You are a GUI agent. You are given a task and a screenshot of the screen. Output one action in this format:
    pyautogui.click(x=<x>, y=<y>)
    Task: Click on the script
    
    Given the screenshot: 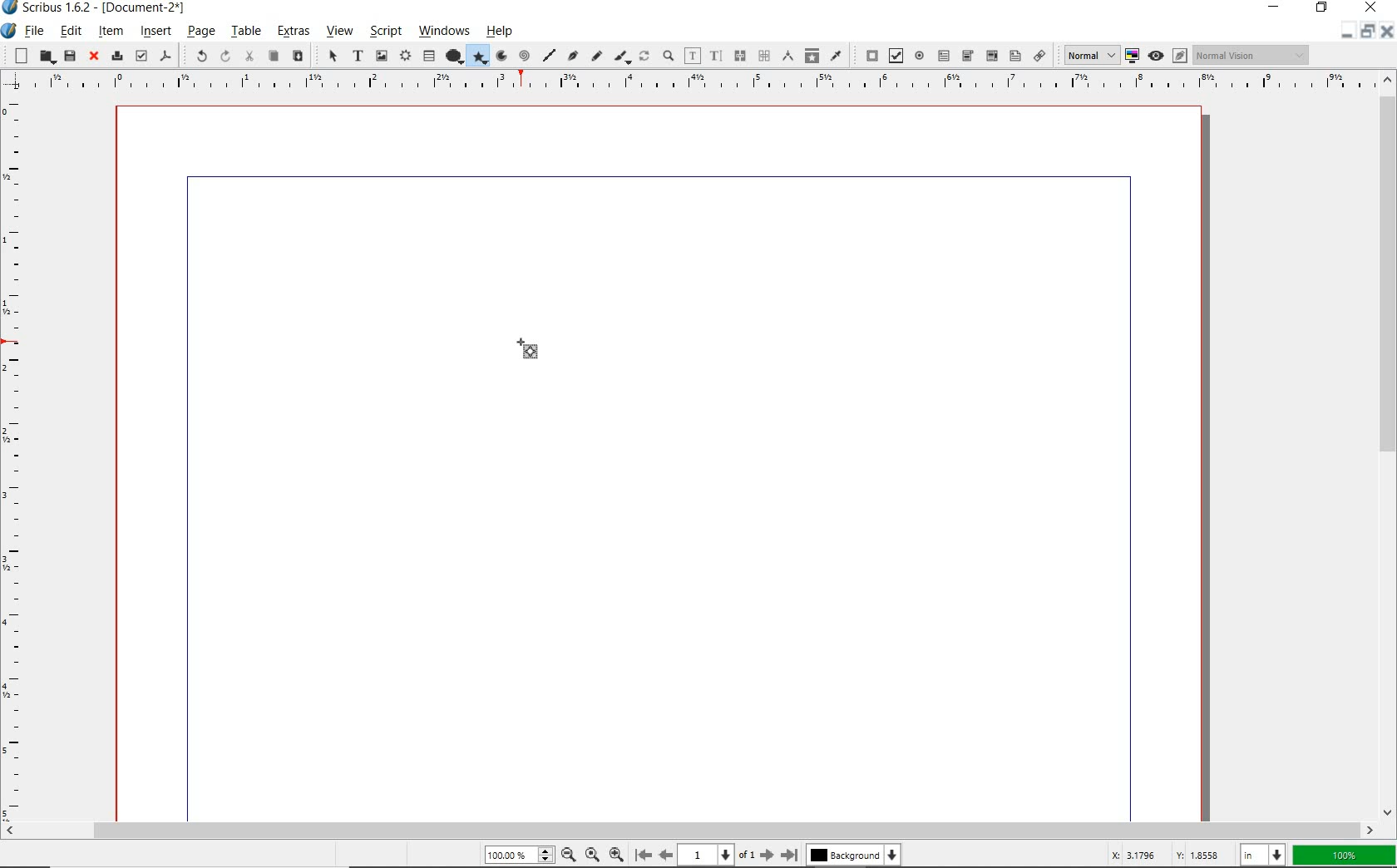 What is the action you would take?
    pyautogui.click(x=384, y=32)
    